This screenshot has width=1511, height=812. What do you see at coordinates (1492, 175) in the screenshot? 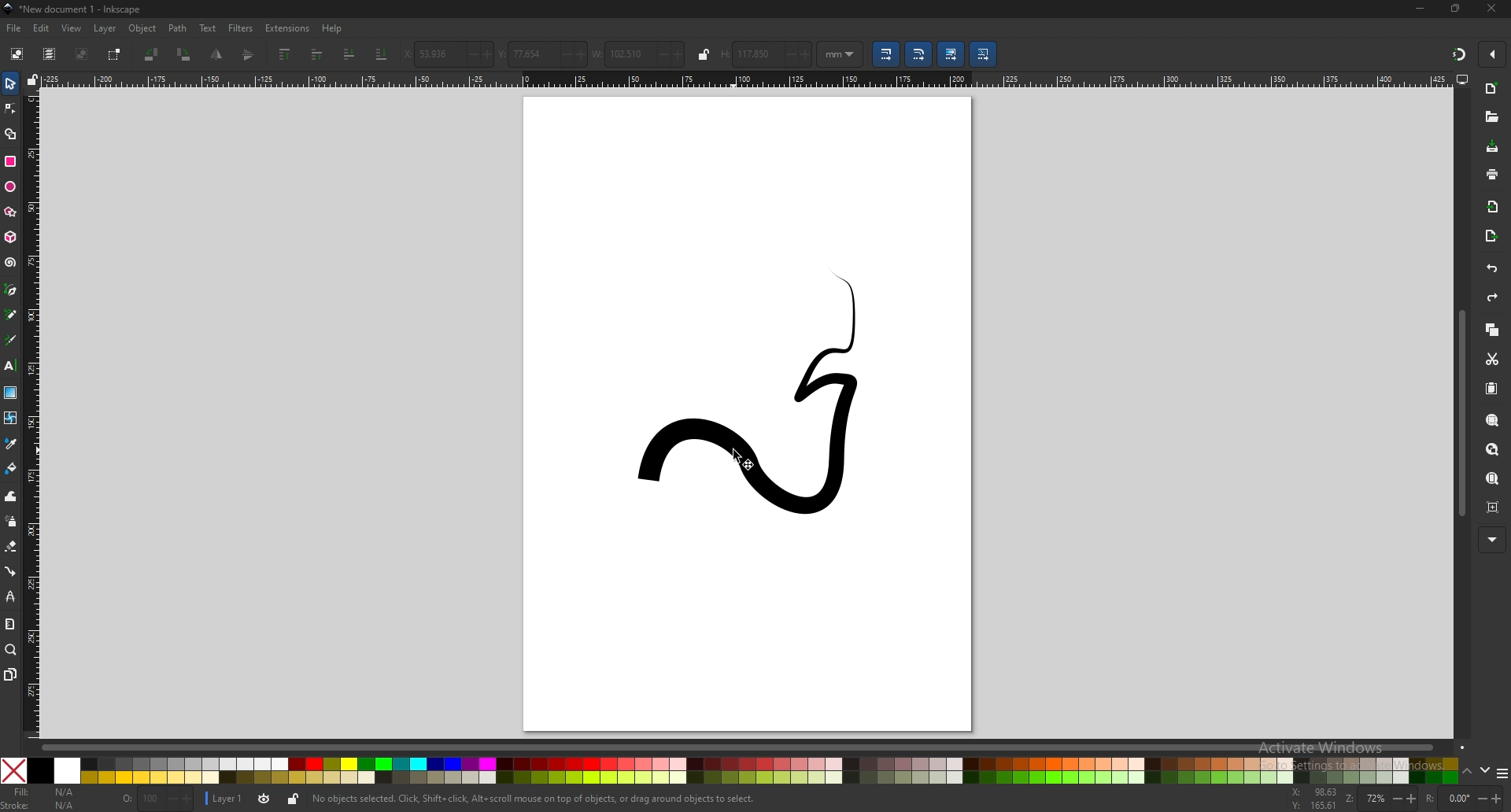
I see `print` at bounding box center [1492, 175].